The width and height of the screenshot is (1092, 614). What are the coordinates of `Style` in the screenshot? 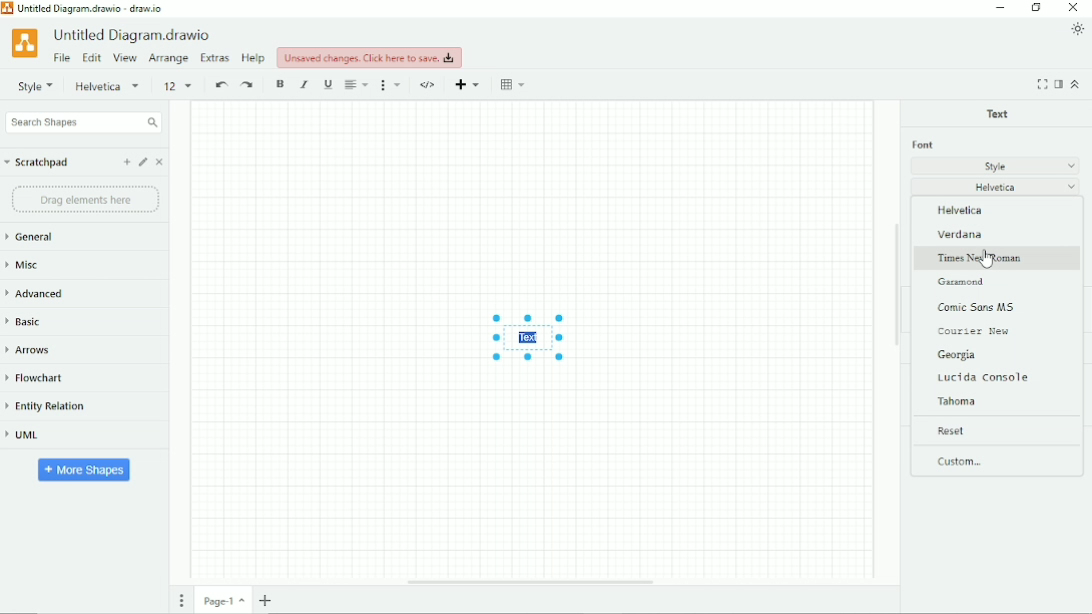 It's located at (35, 86).